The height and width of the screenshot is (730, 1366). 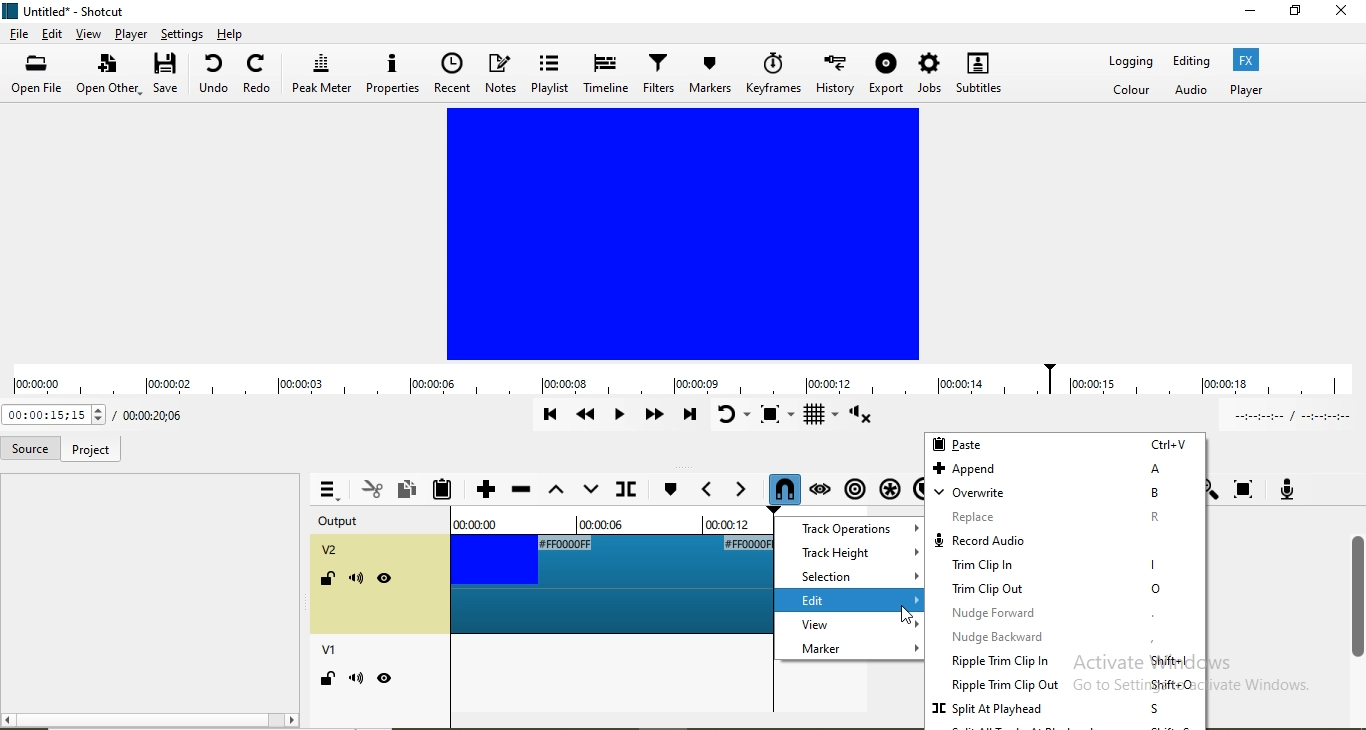 What do you see at coordinates (1064, 543) in the screenshot?
I see `record audio` at bounding box center [1064, 543].